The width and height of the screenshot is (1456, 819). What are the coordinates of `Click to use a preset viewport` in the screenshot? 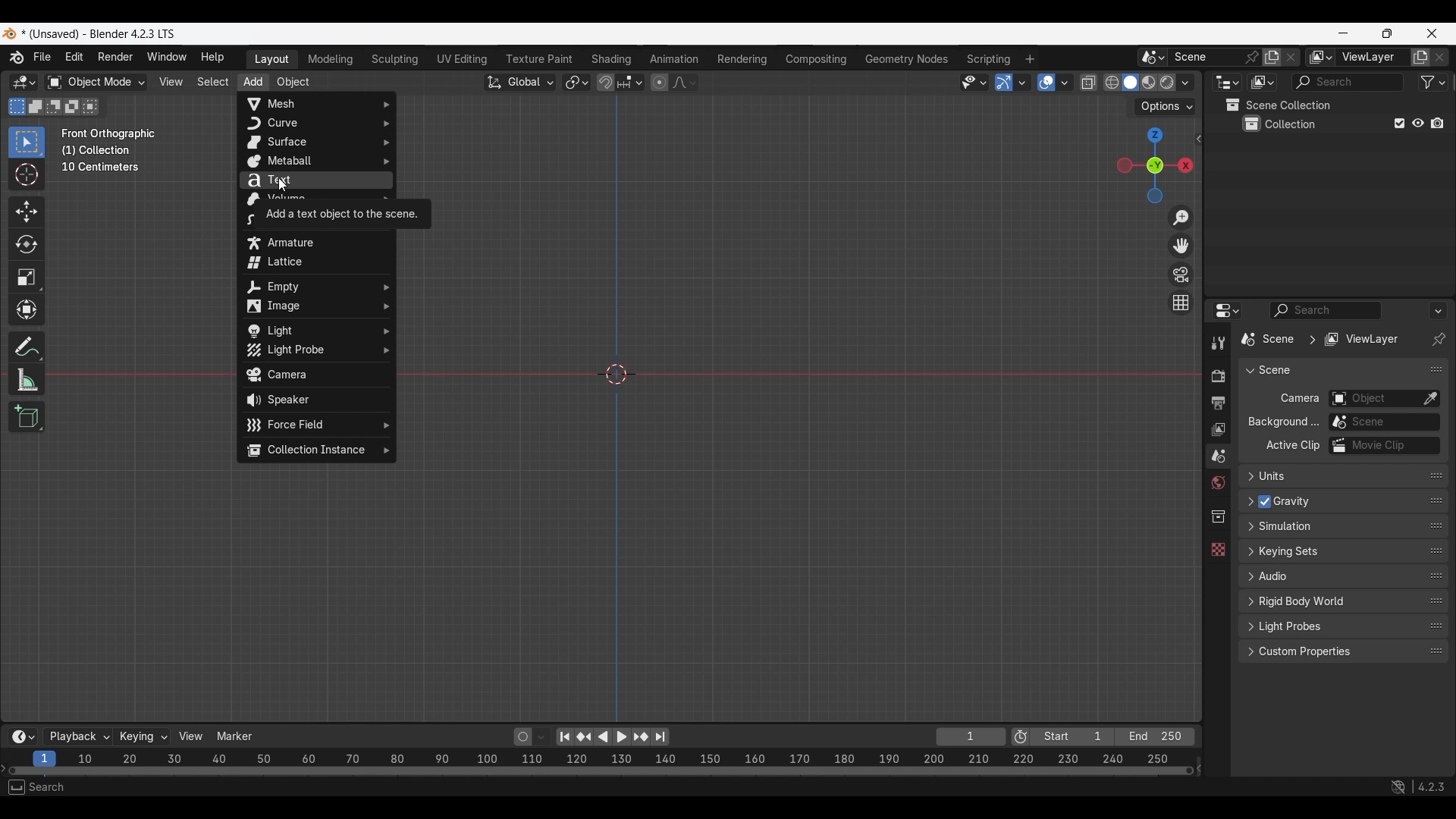 It's located at (1151, 165).